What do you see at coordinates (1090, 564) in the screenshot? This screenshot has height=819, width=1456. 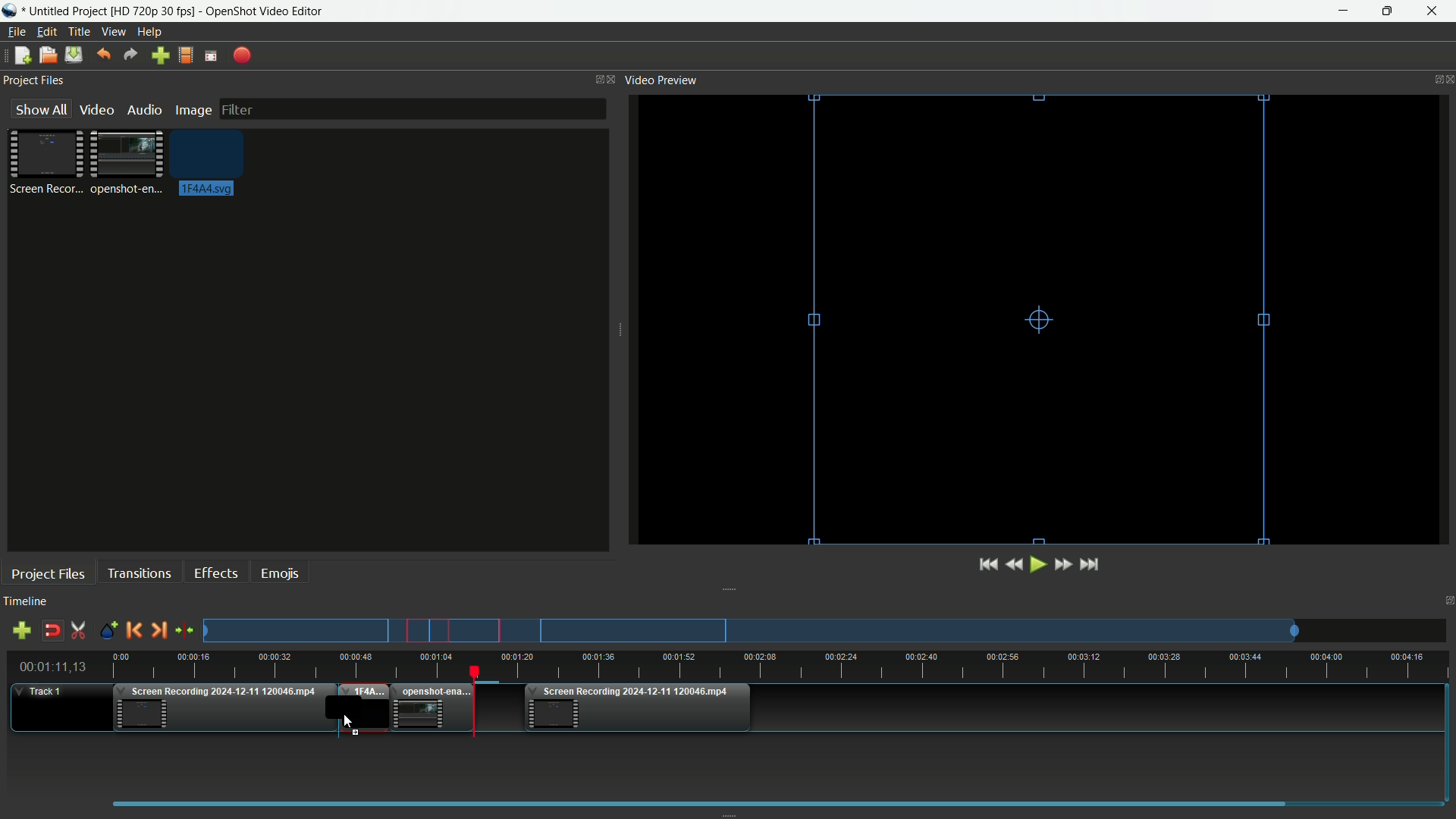 I see `Jump to end` at bounding box center [1090, 564].